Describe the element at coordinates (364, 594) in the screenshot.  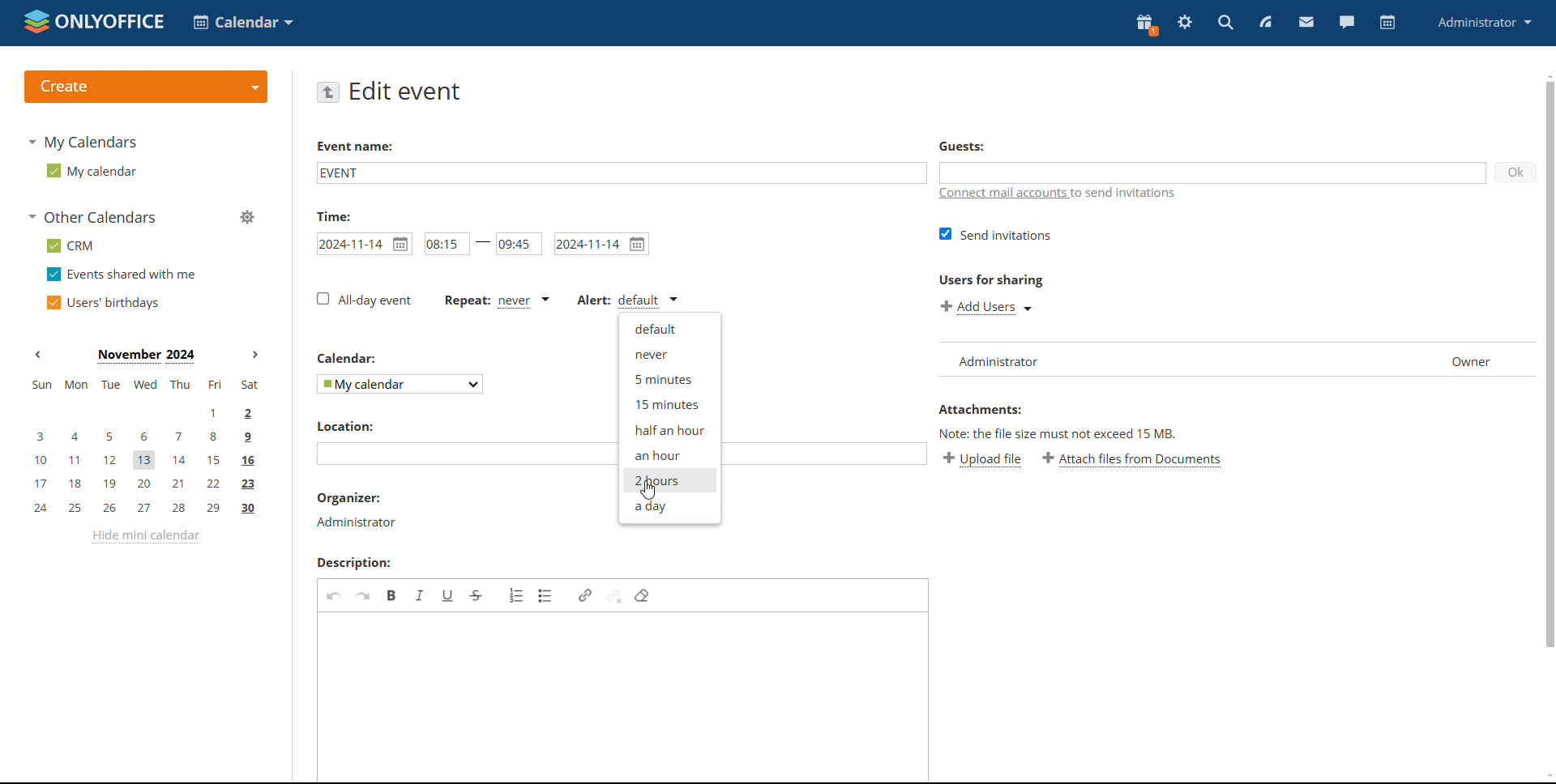
I see `redo` at that location.